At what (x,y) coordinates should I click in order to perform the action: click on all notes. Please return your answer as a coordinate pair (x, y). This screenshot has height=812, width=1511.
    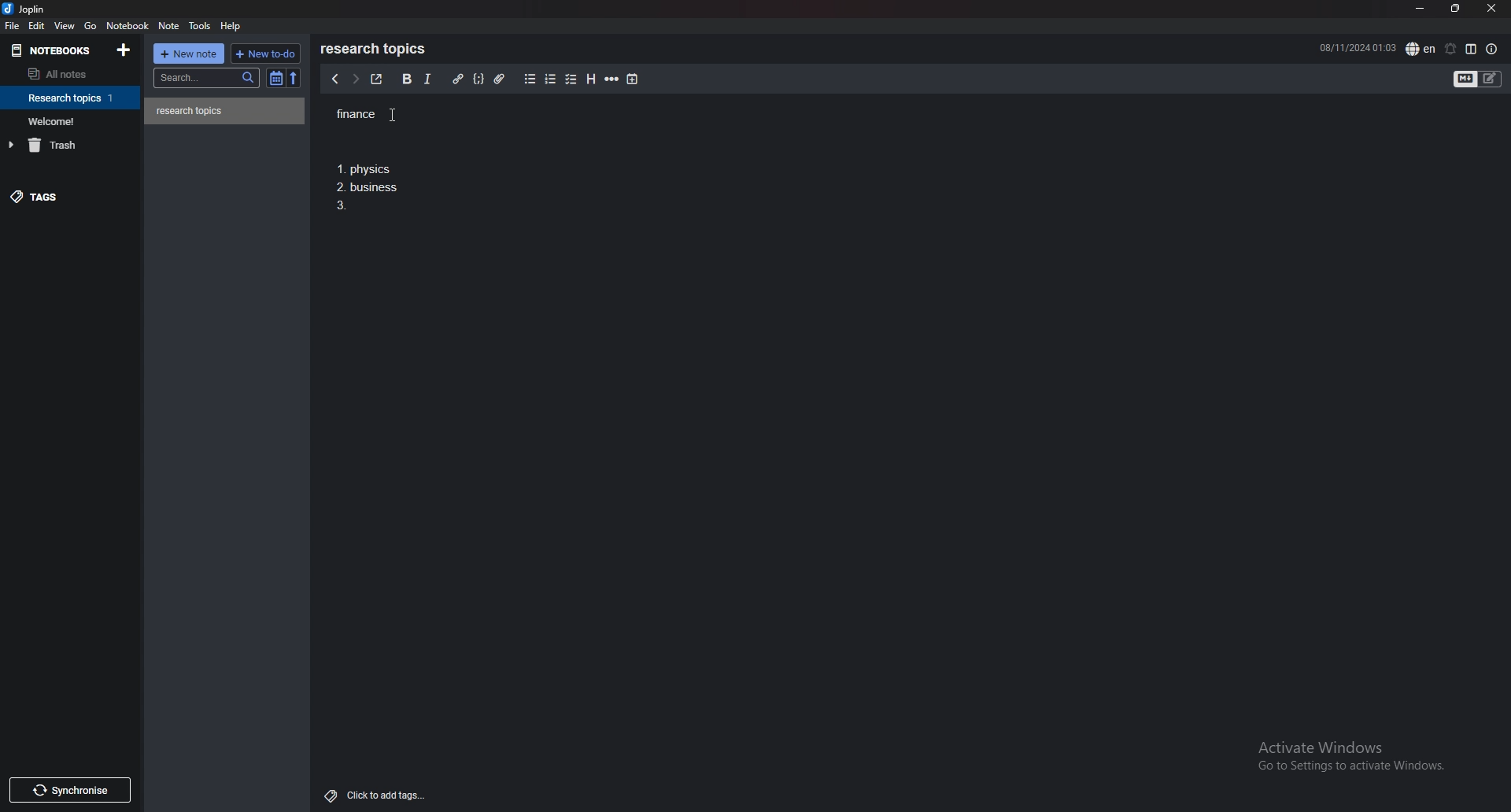
    Looking at the image, I should click on (65, 75).